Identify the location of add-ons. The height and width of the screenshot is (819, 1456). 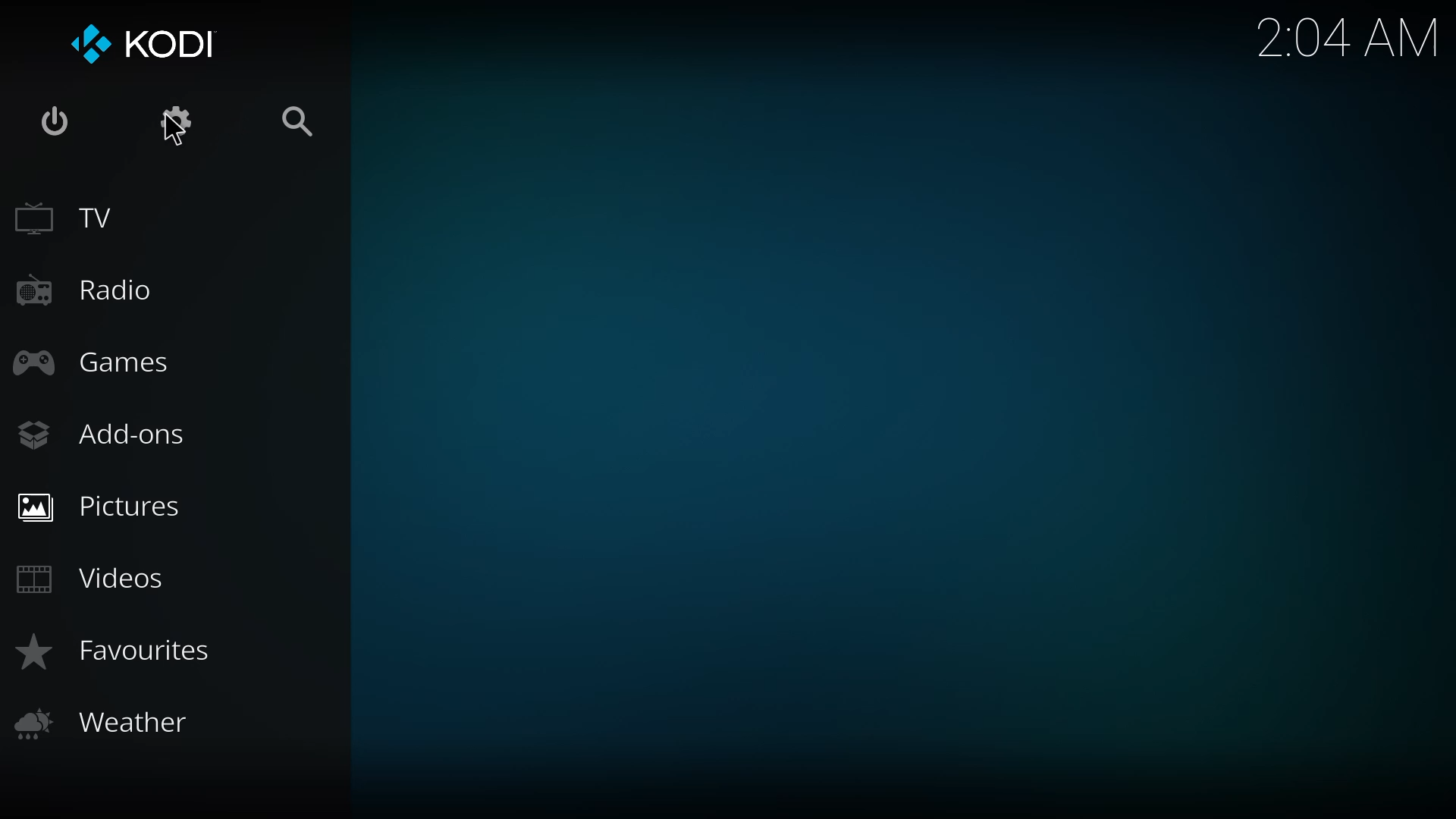
(106, 434).